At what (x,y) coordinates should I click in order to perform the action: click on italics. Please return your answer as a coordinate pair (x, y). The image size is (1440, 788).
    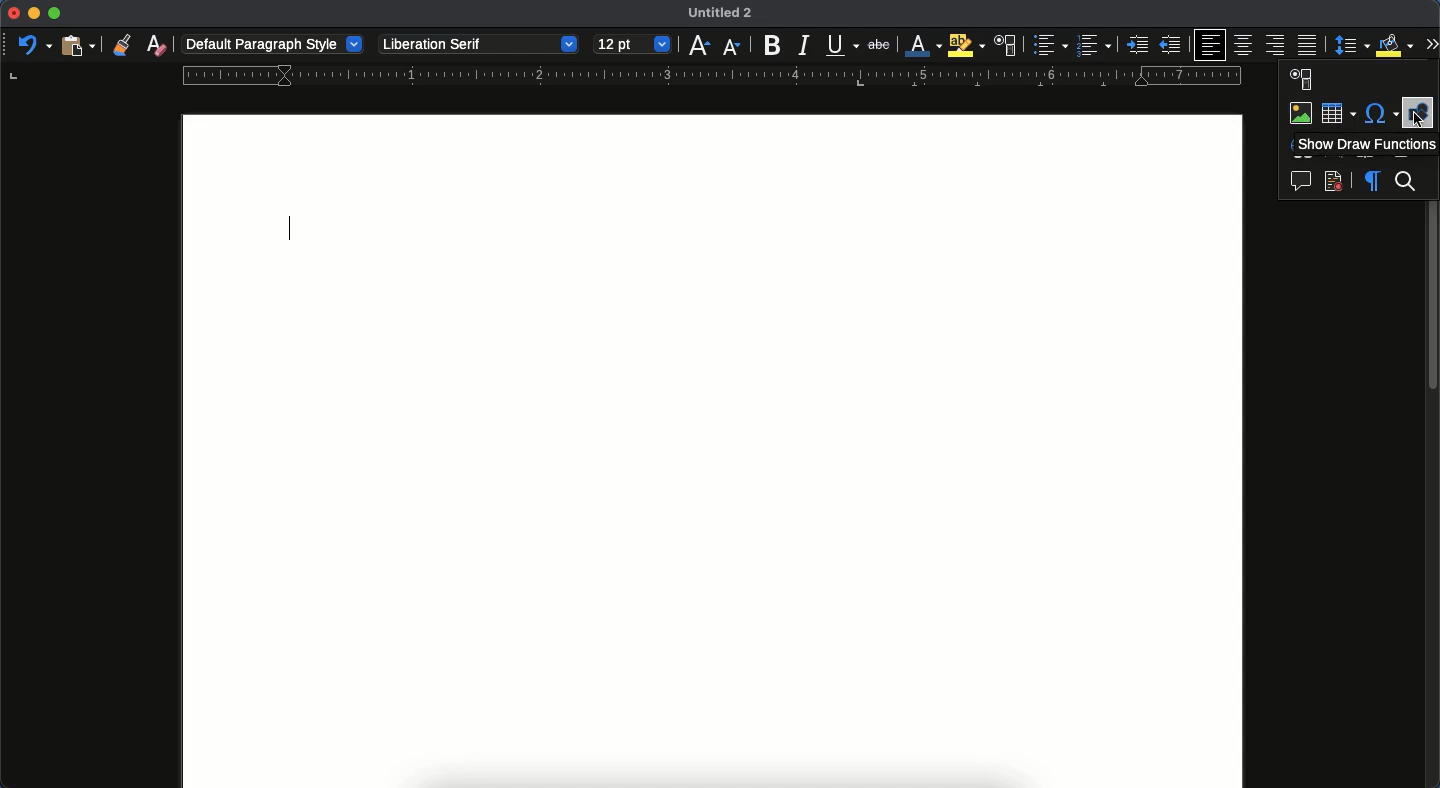
    Looking at the image, I should click on (805, 45).